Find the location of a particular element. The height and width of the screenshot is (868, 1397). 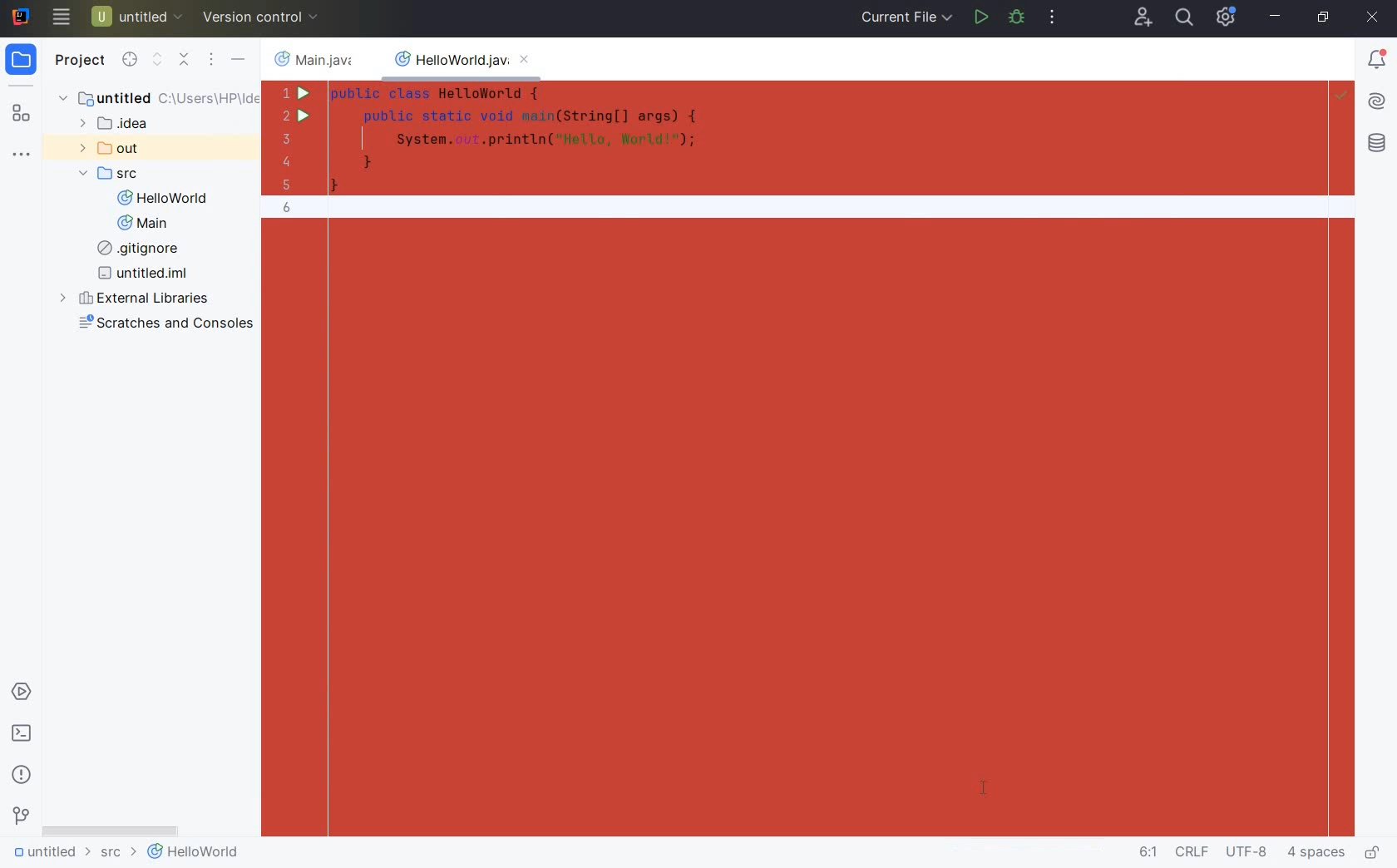

cursor is located at coordinates (62, 21).